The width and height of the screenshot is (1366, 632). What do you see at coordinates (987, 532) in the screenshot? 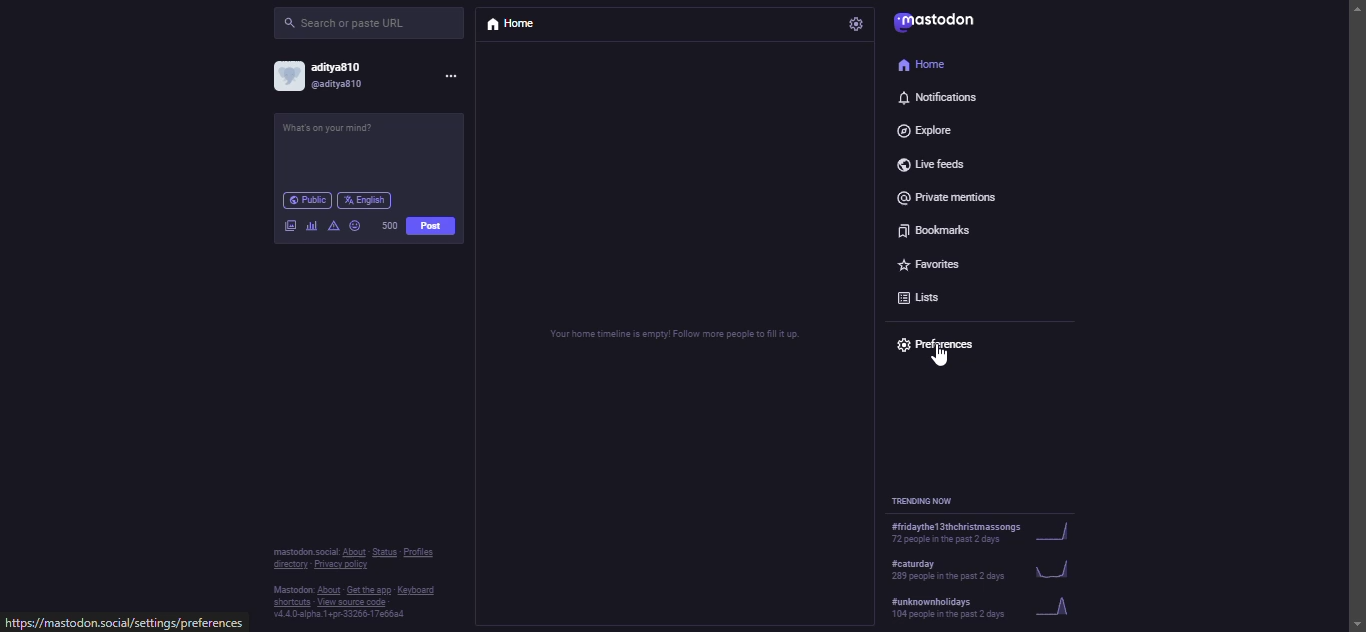
I see `trending` at bounding box center [987, 532].